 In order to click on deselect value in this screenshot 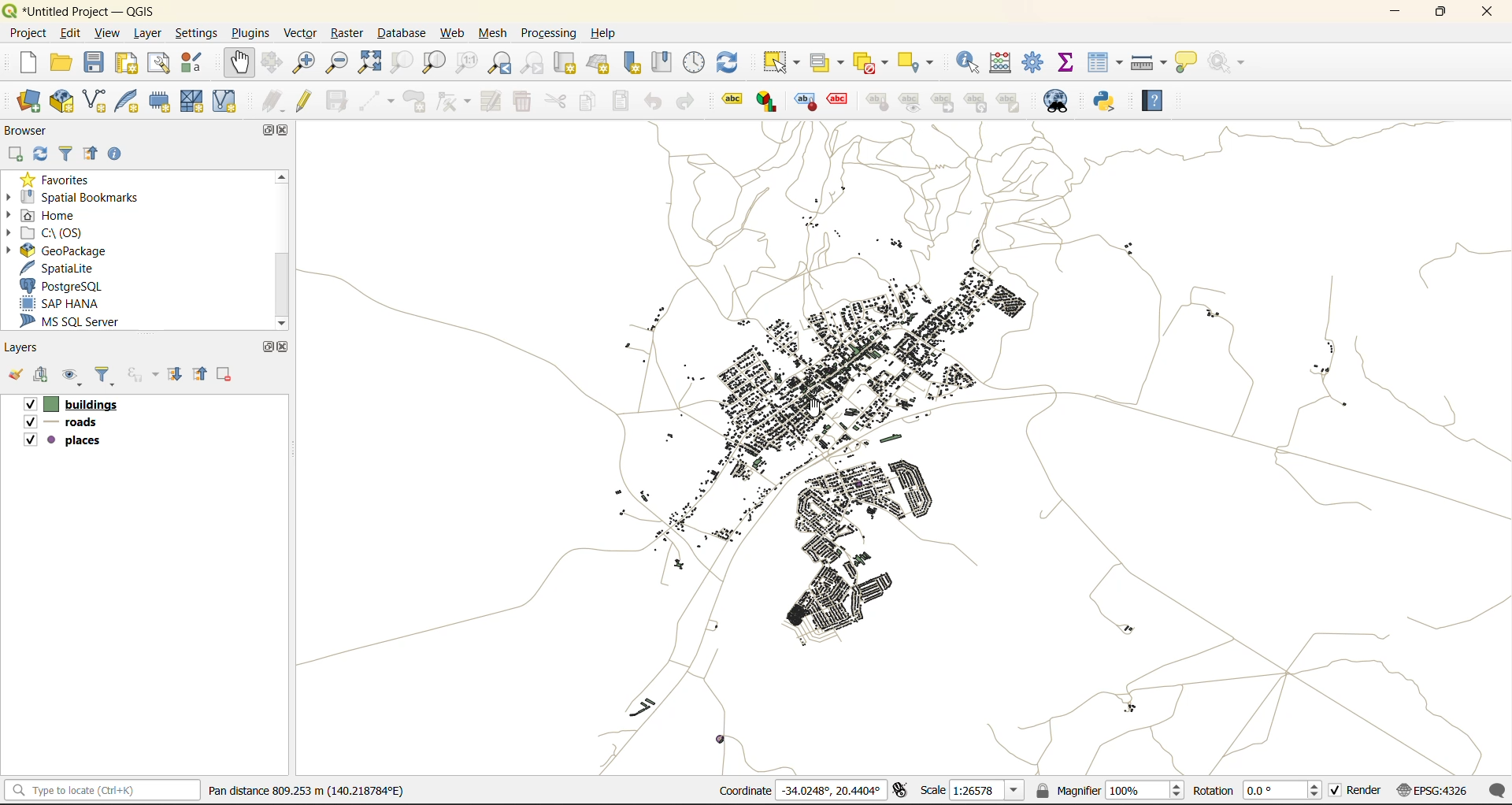, I will do `click(873, 65)`.